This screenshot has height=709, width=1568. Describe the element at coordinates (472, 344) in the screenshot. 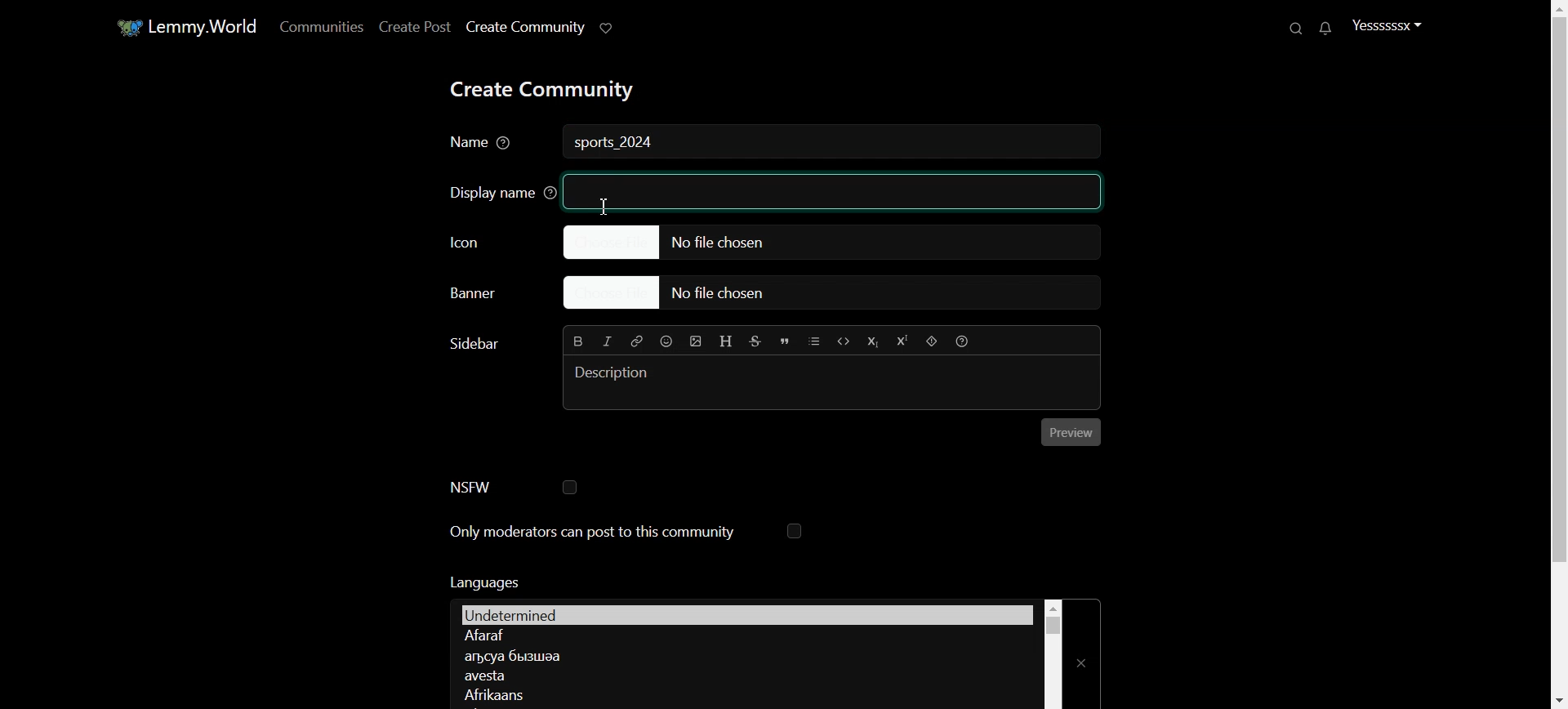

I see `Text` at that location.